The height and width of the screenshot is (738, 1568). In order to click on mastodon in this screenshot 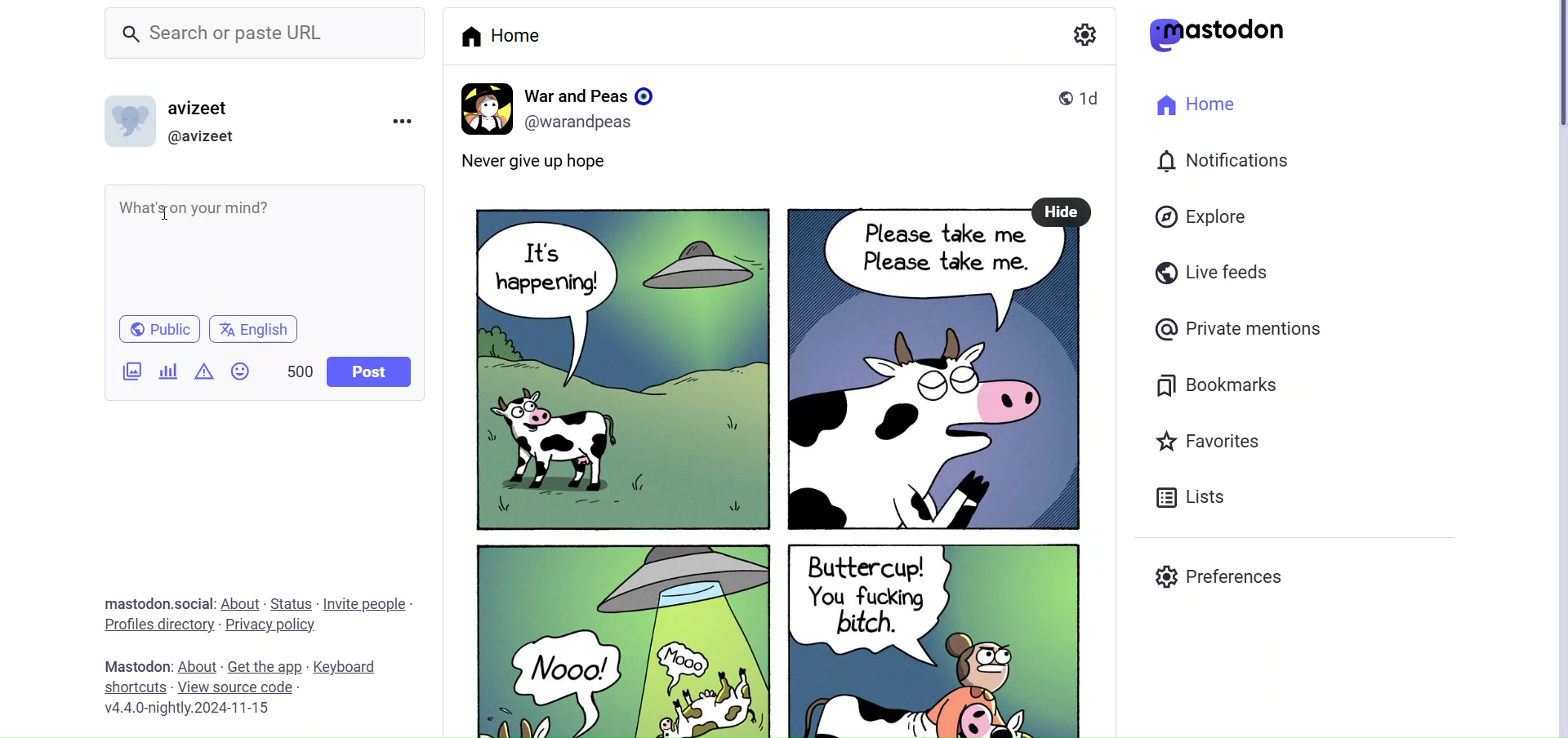, I will do `click(135, 665)`.